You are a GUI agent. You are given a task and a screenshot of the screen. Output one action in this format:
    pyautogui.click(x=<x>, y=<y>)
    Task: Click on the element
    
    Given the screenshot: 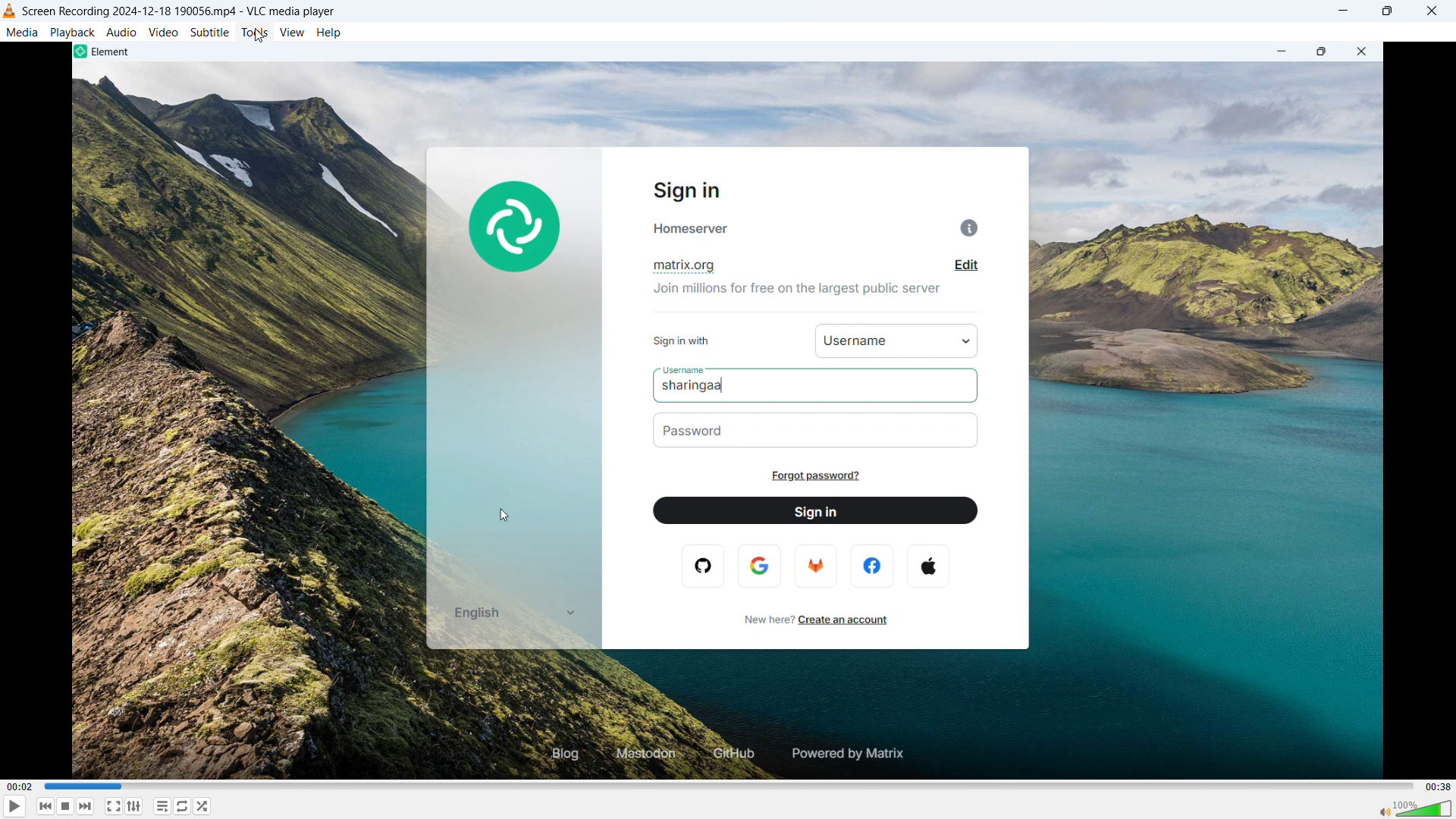 What is the action you would take?
    pyautogui.click(x=118, y=52)
    